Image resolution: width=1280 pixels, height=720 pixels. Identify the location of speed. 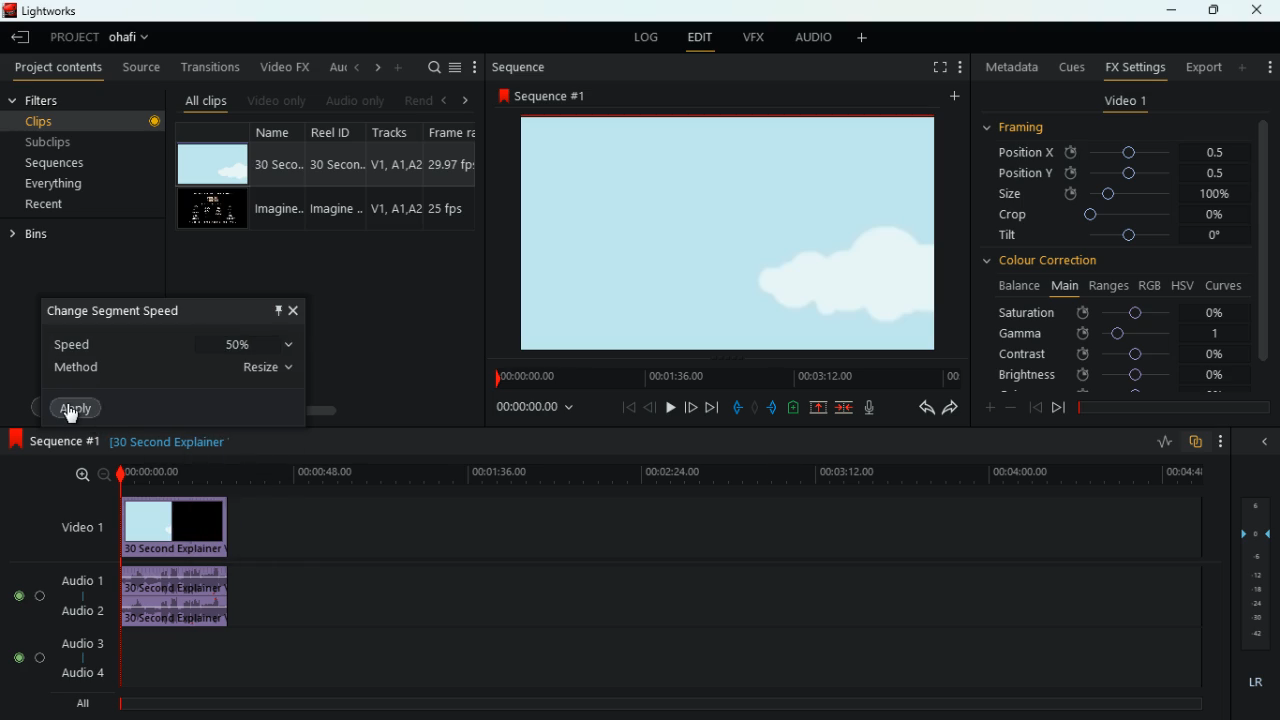
(169, 340).